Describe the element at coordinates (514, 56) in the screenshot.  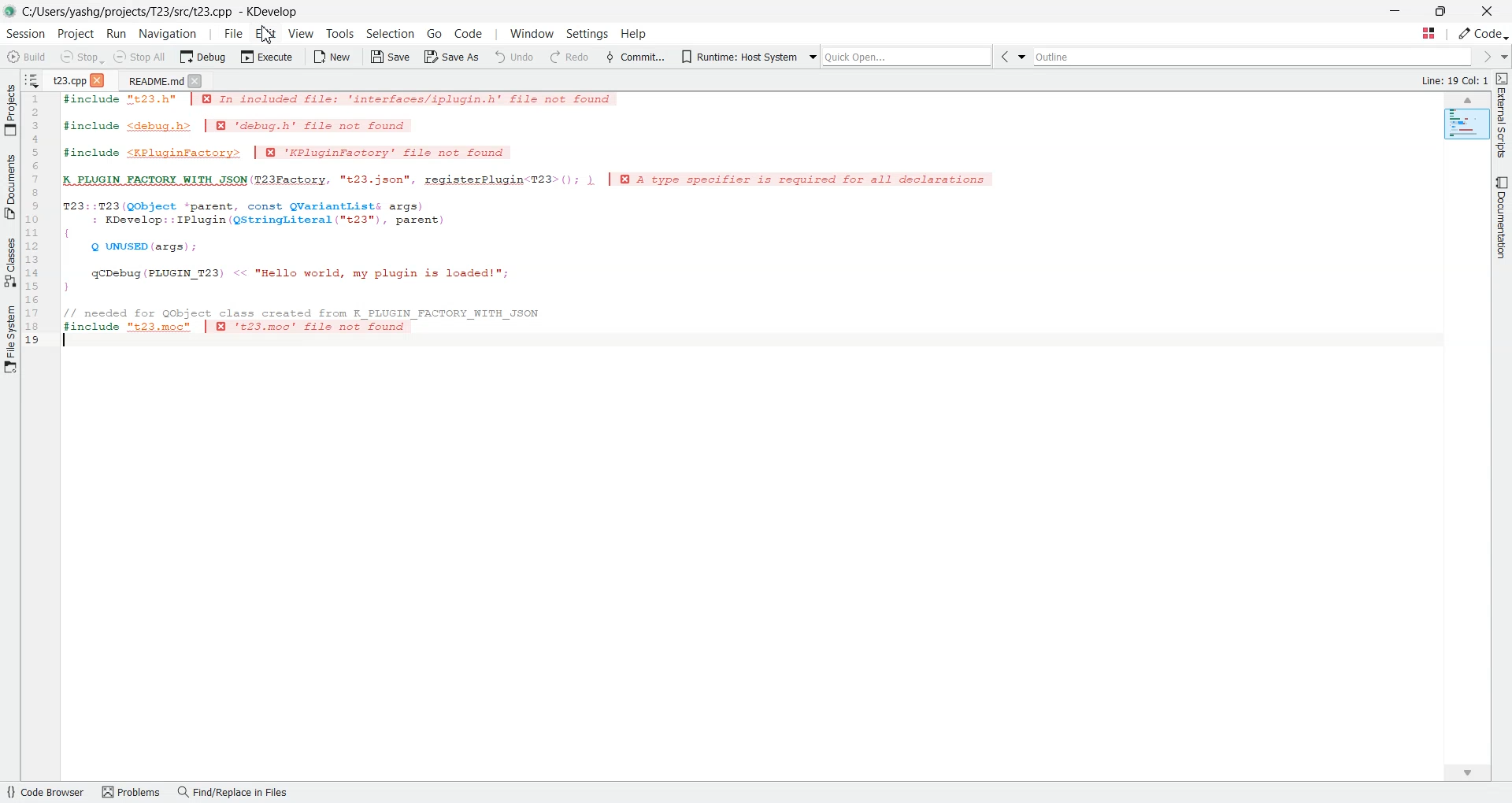
I see `Undo` at that location.